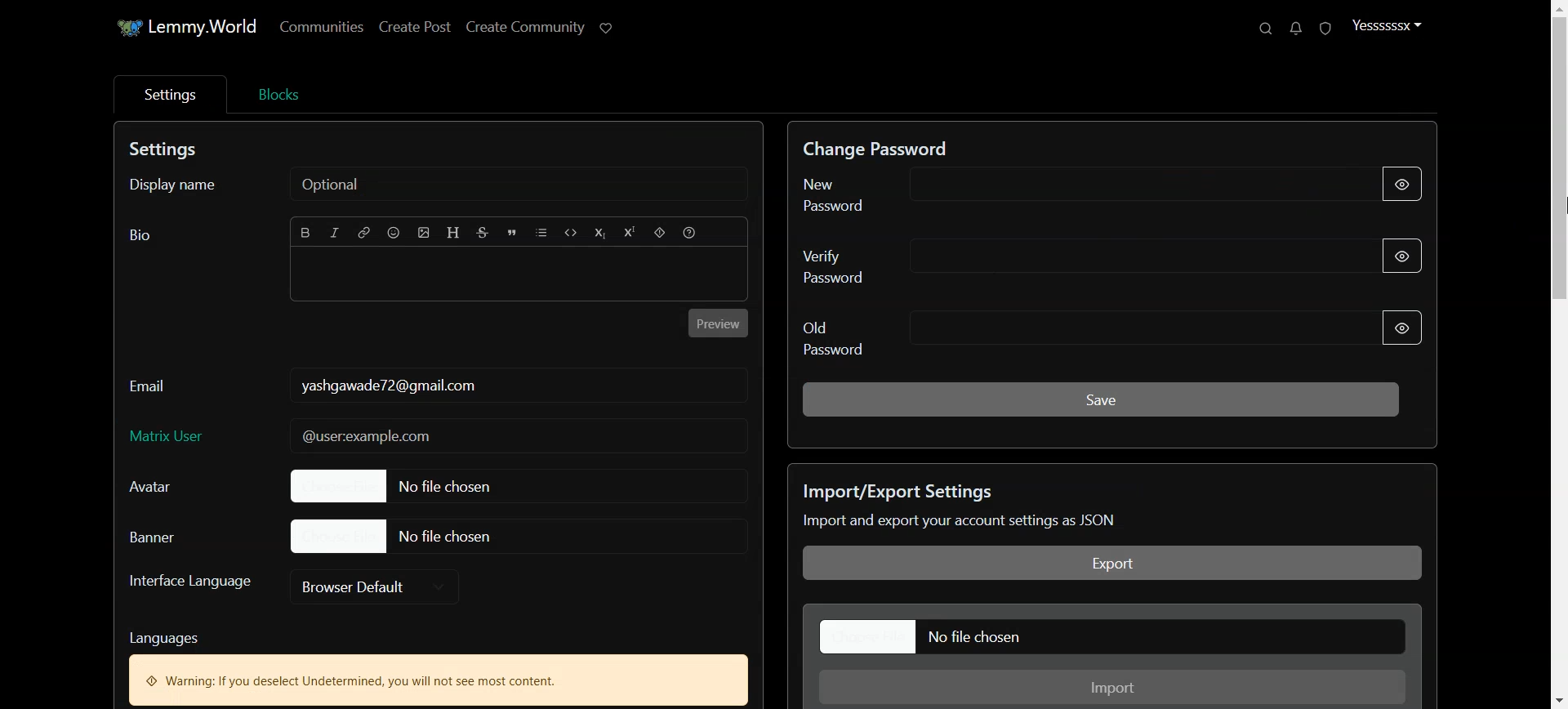 The width and height of the screenshot is (1568, 709). I want to click on Typing window, so click(519, 274).